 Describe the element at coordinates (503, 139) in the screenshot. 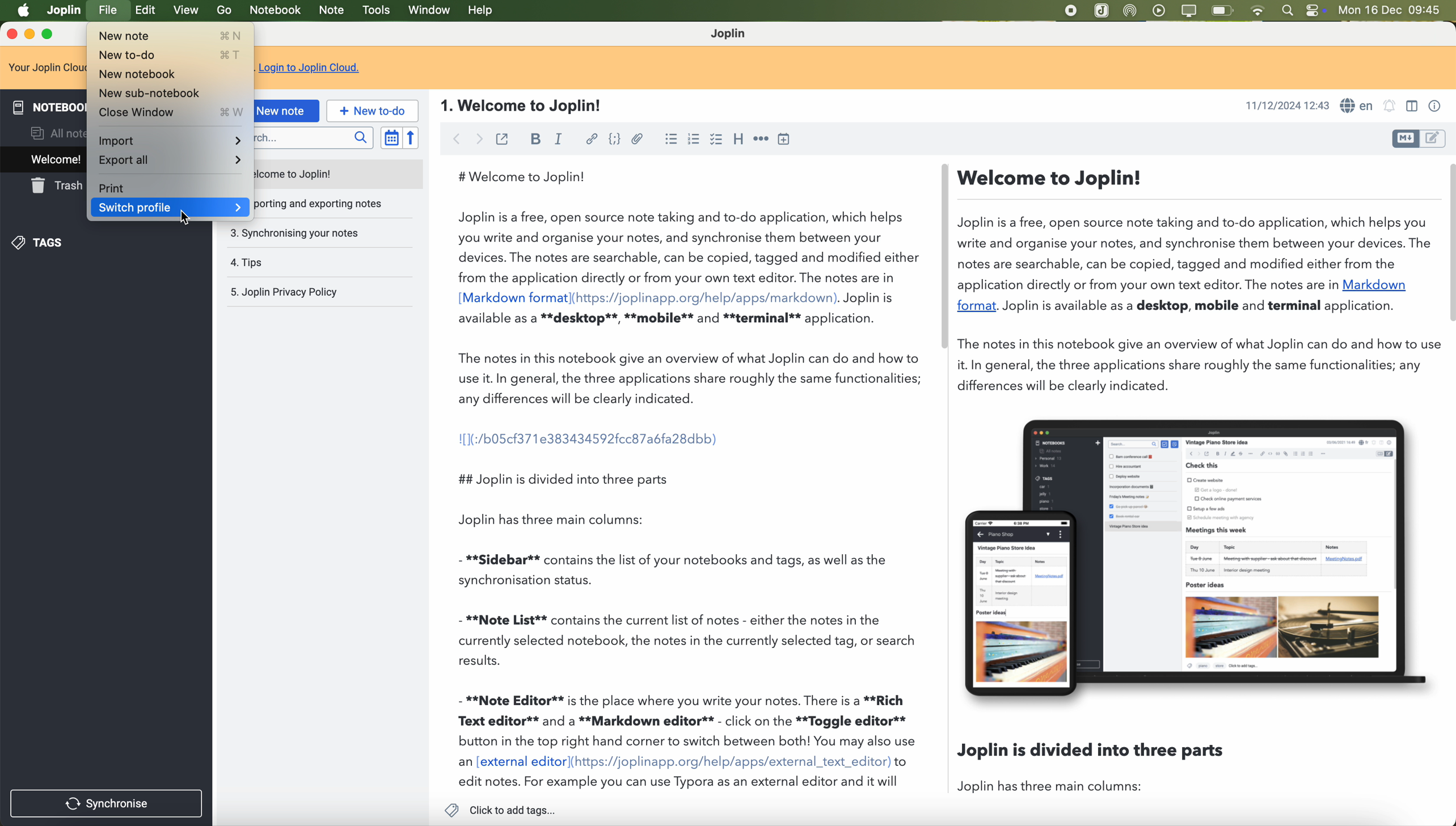

I see `toggle external editing` at that location.